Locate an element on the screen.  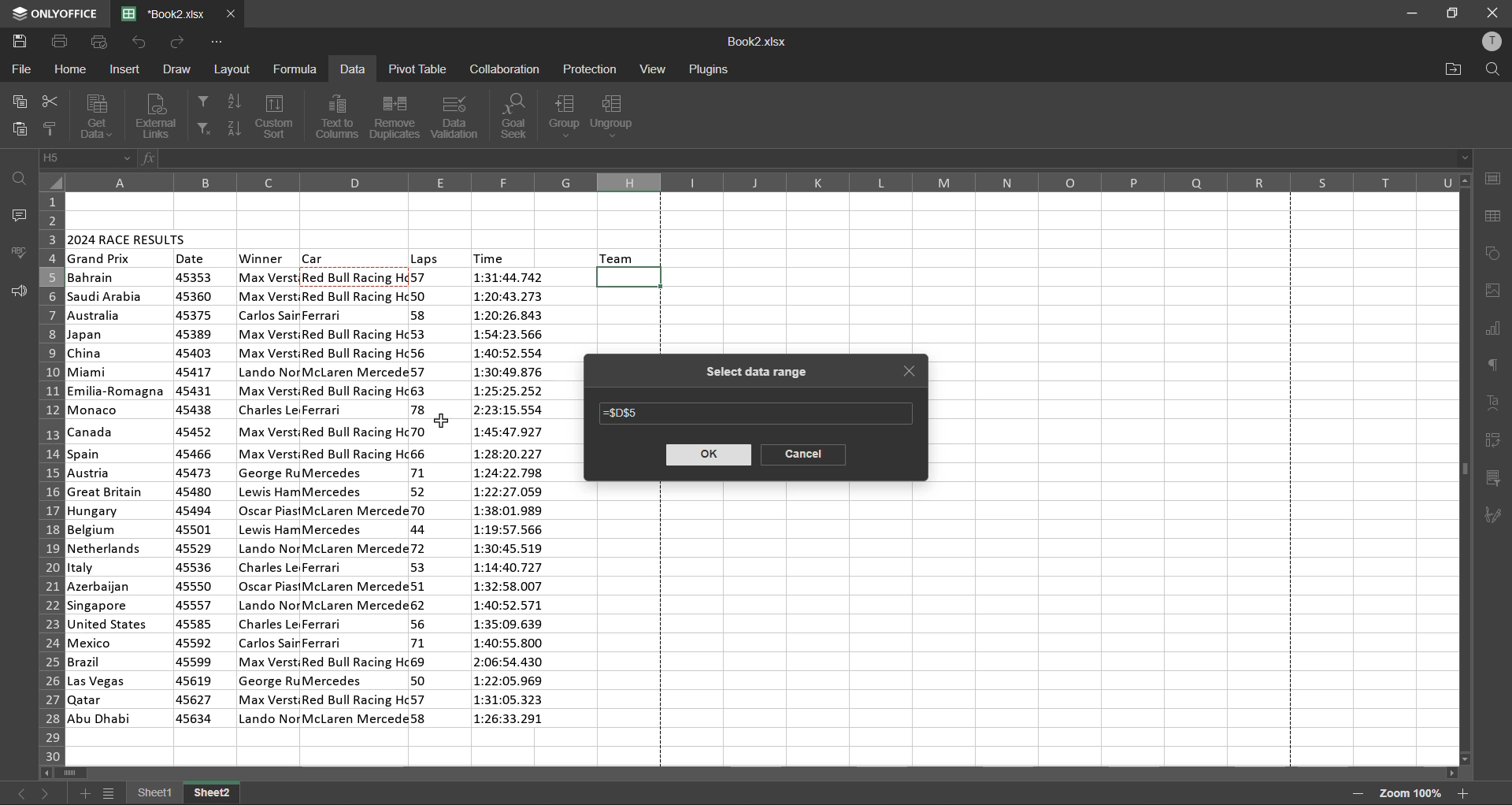
undo is located at coordinates (138, 42).